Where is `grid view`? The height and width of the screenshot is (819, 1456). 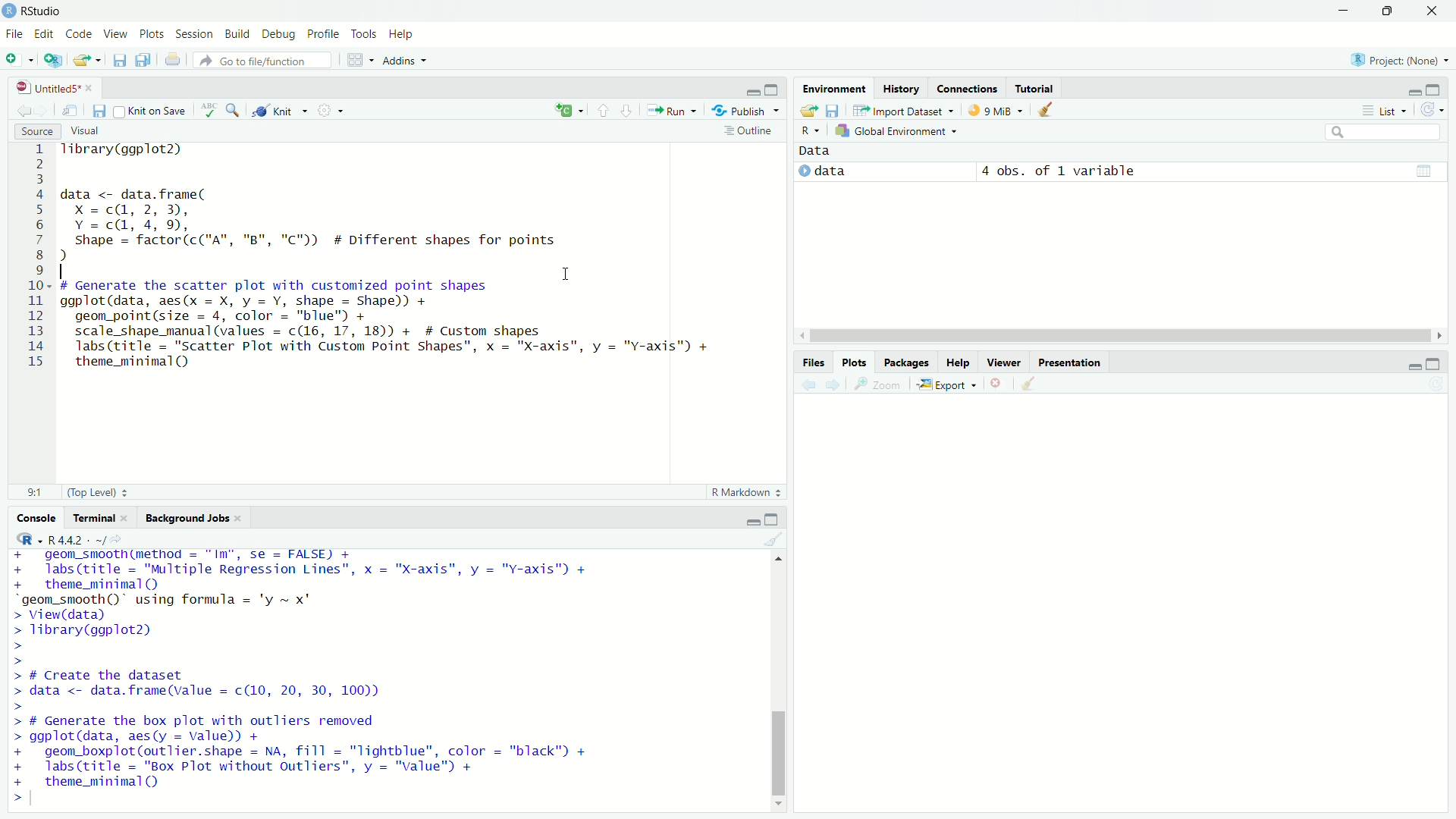
grid view is located at coordinates (1424, 171).